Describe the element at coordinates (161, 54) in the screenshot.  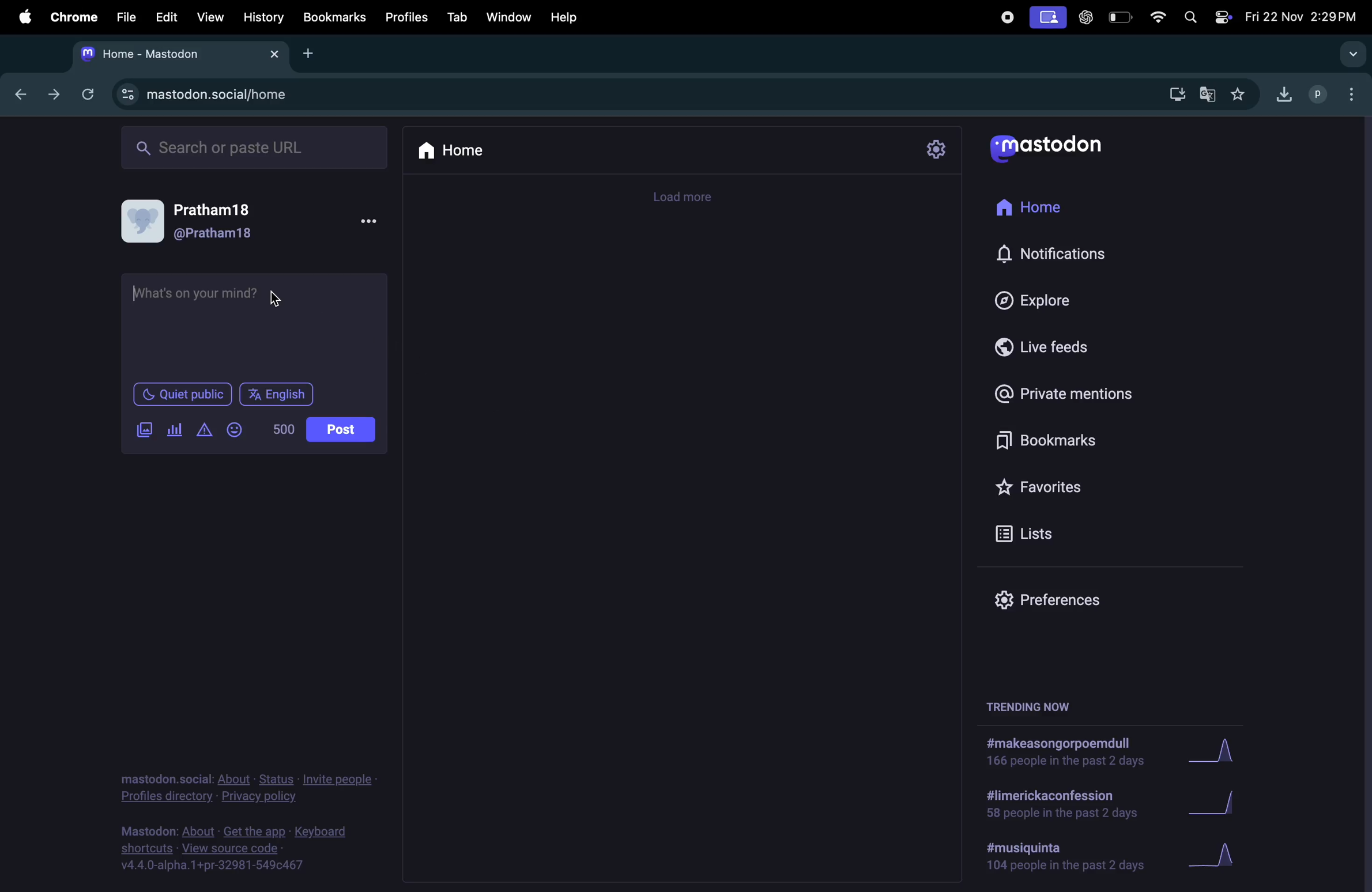
I see `tabs` at that location.